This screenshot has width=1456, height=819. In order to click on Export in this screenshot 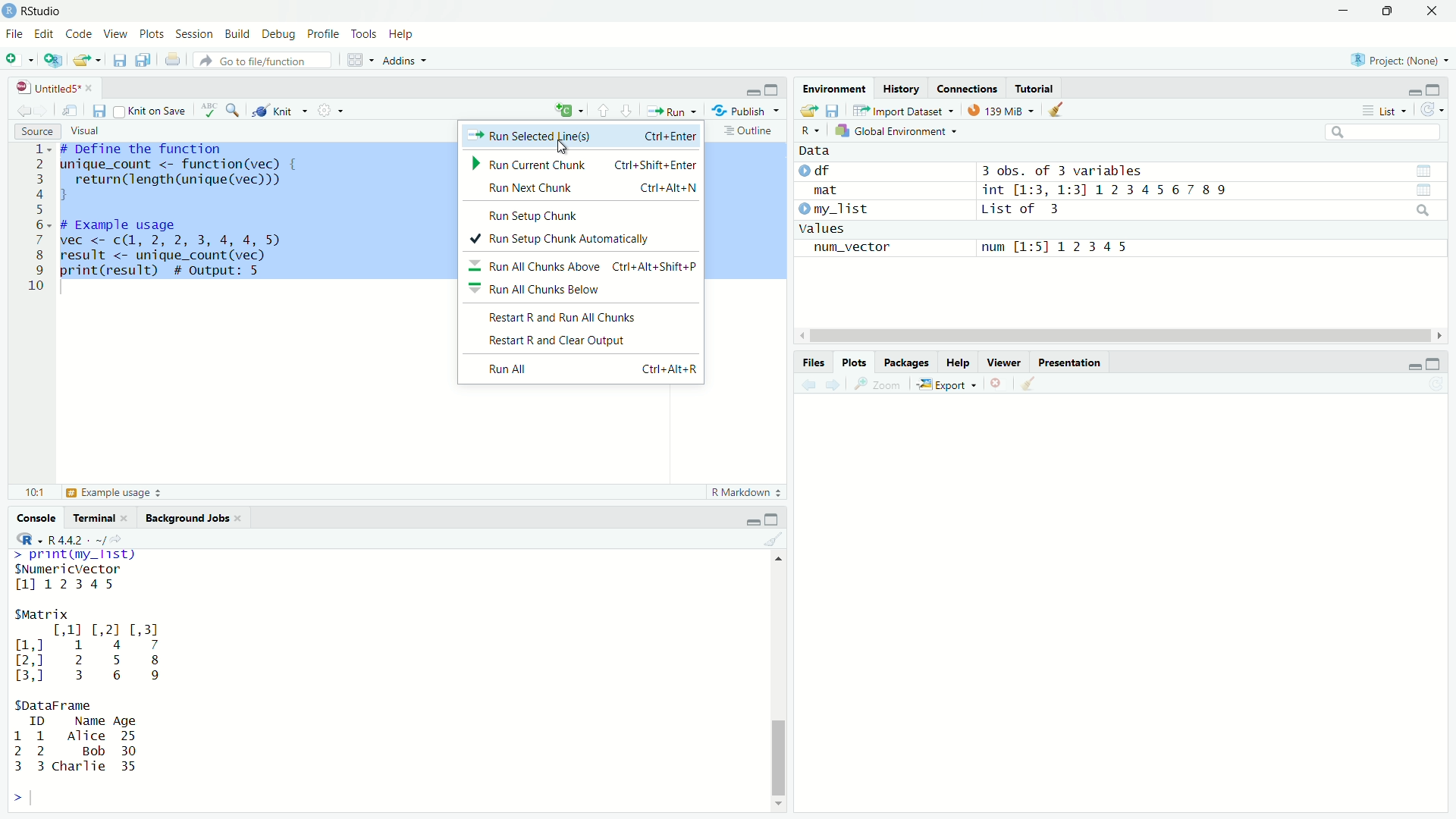, I will do `click(946, 385)`.